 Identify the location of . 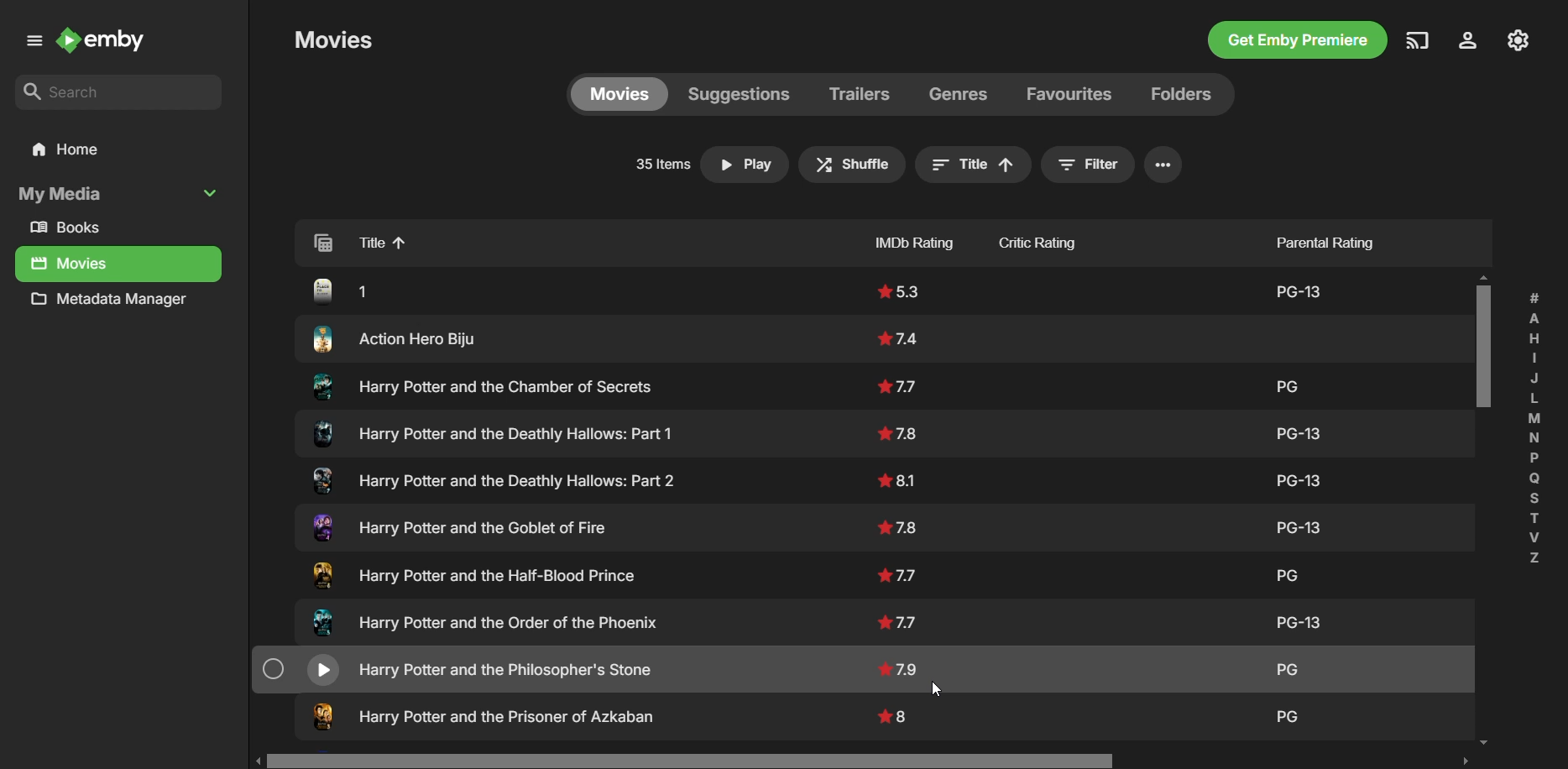
(1280, 569).